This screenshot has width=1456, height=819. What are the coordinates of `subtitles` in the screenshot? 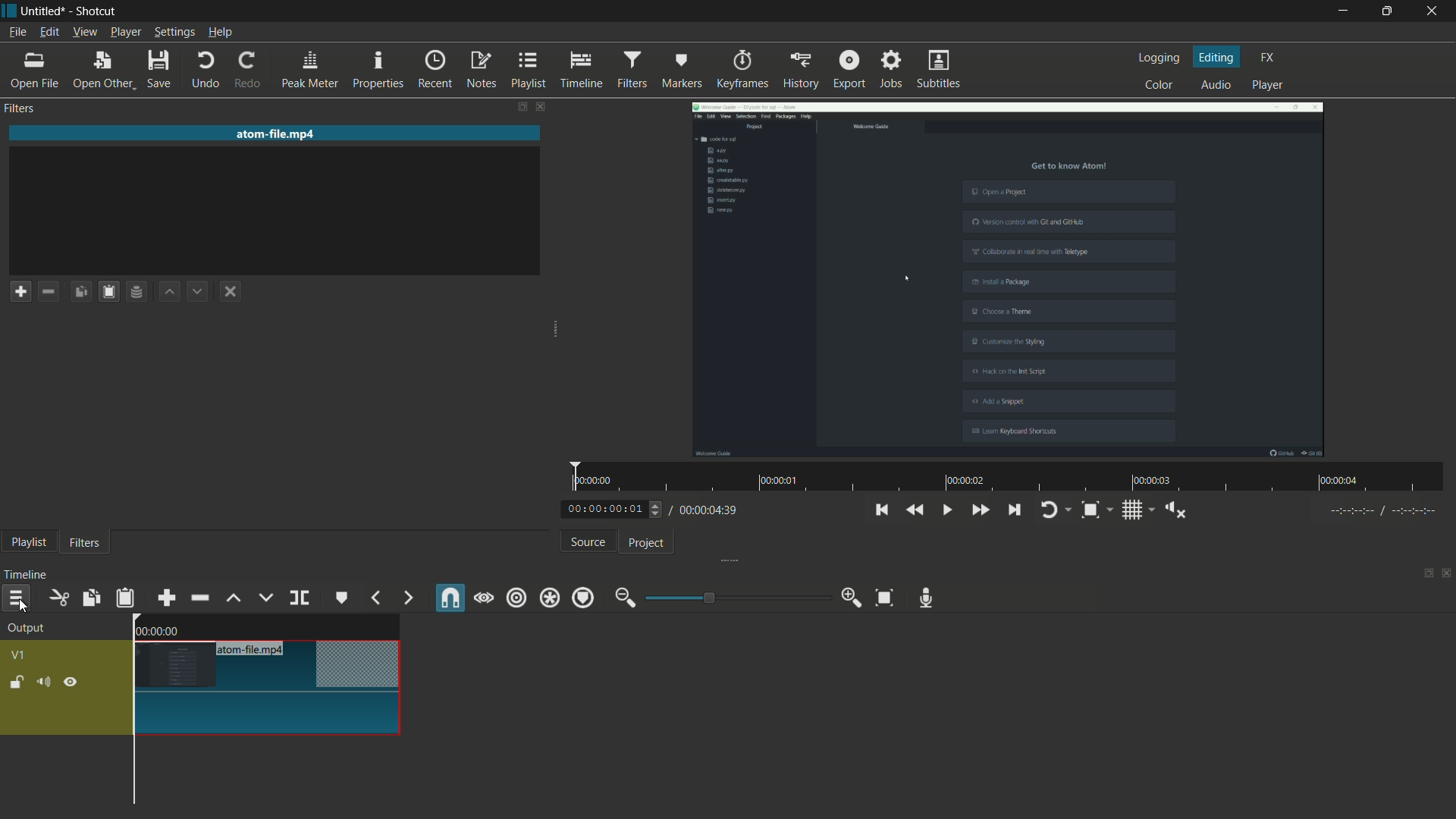 It's located at (940, 70).